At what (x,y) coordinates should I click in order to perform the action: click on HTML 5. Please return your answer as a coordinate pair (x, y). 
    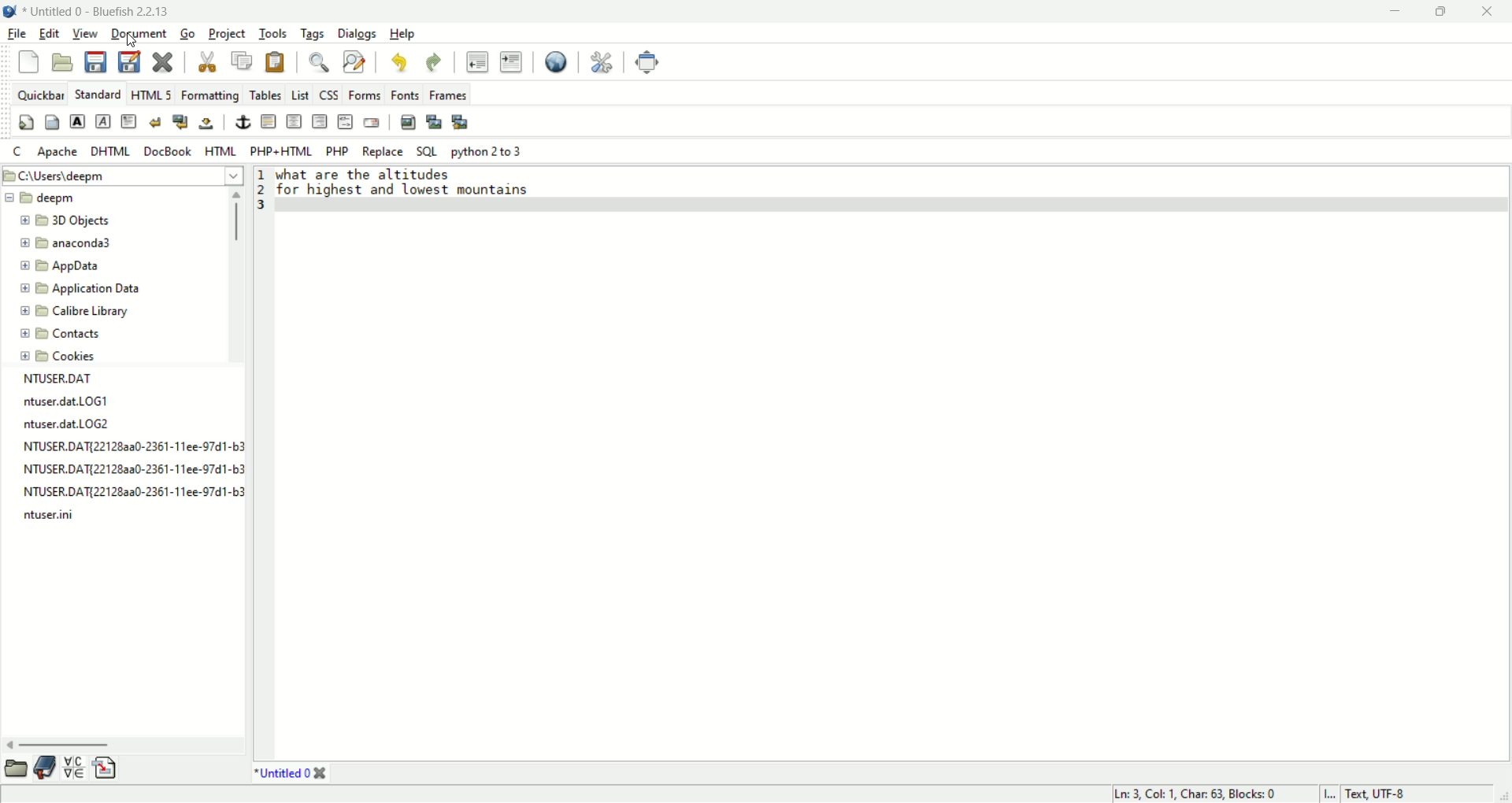
    Looking at the image, I should click on (154, 94).